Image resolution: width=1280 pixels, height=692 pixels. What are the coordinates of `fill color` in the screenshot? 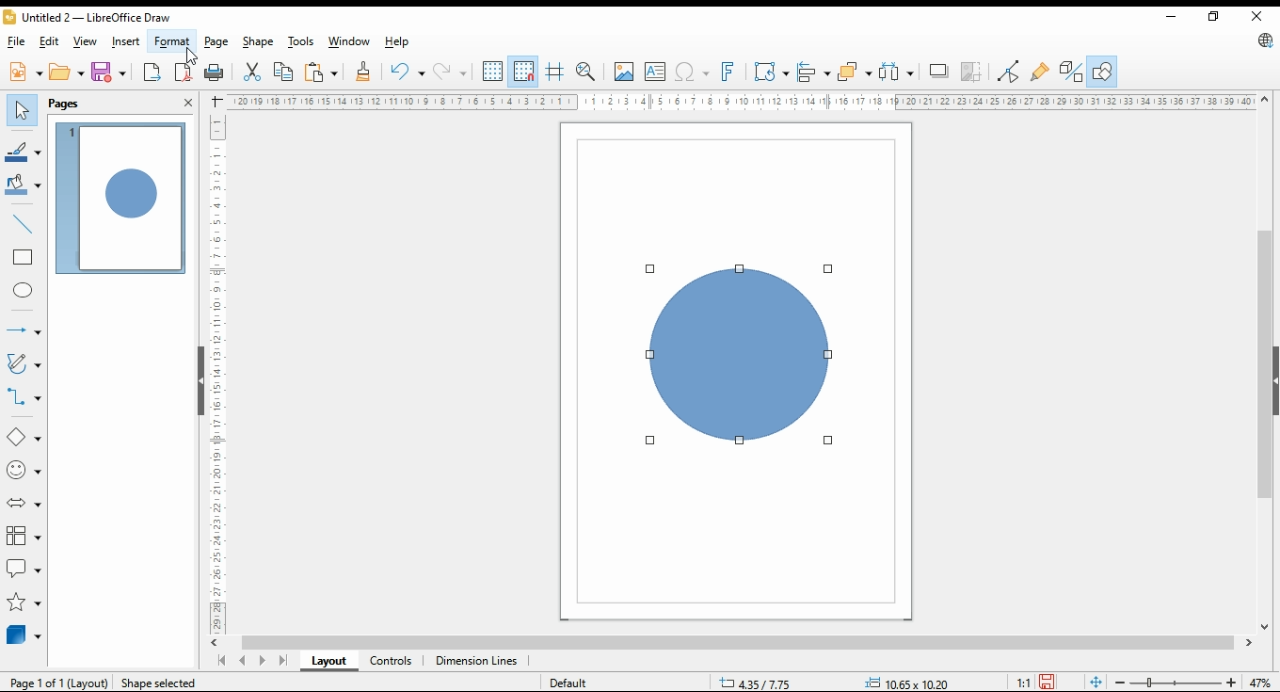 It's located at (23, 185).